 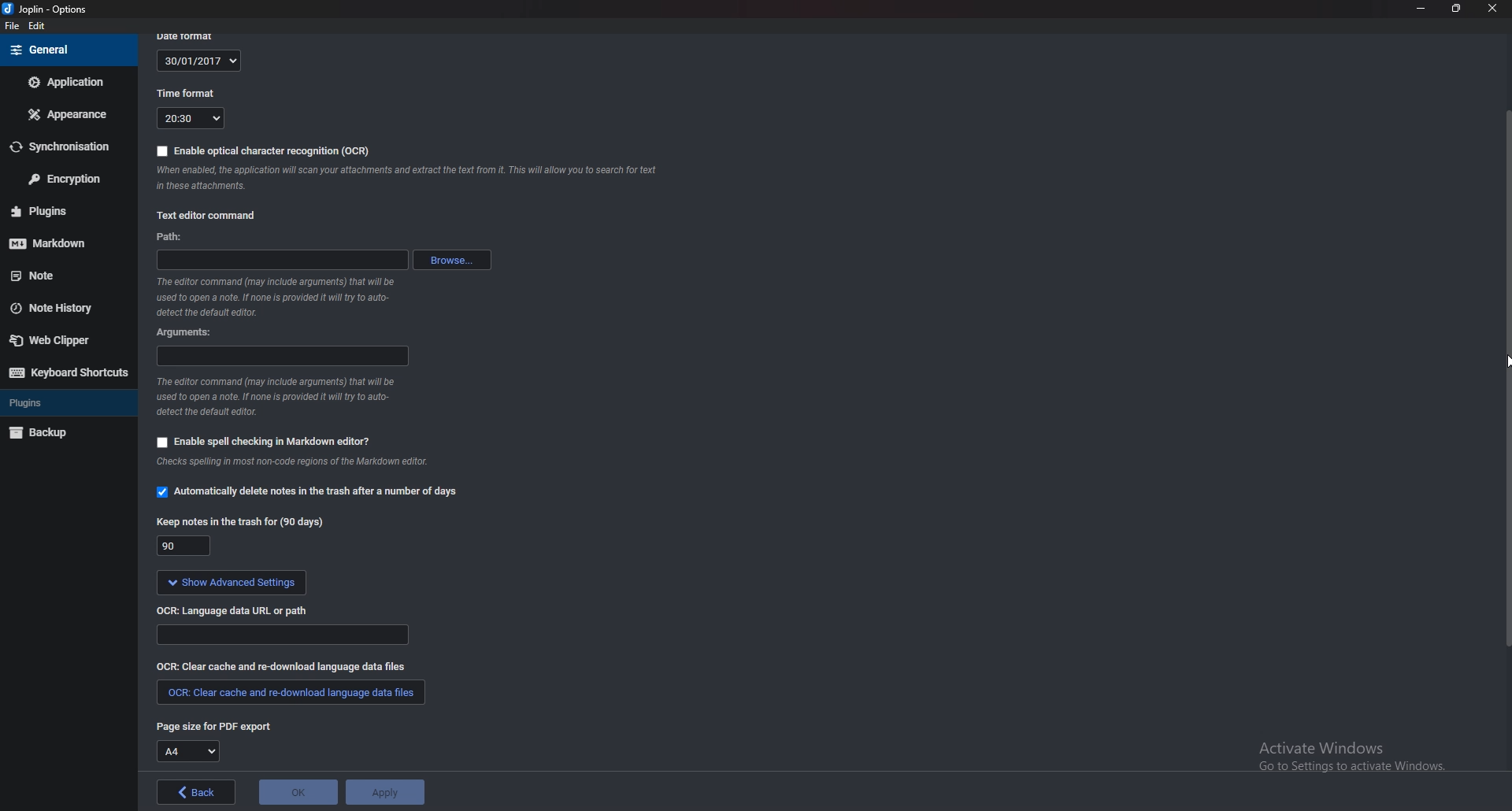 What do you see at coordinates (209, 216) in the screenshot?
I see `Text editor command` at bounding box center [209, 216].